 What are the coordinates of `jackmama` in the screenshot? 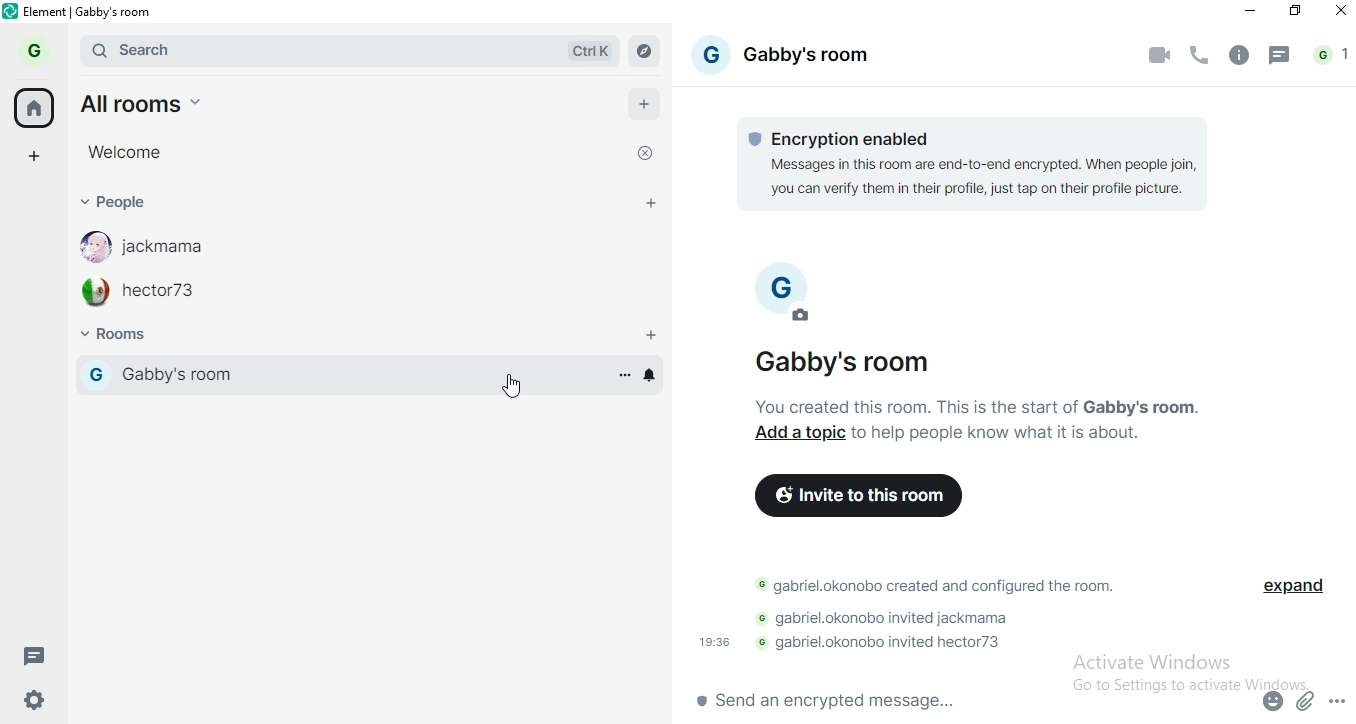 It's located at (158, 248).